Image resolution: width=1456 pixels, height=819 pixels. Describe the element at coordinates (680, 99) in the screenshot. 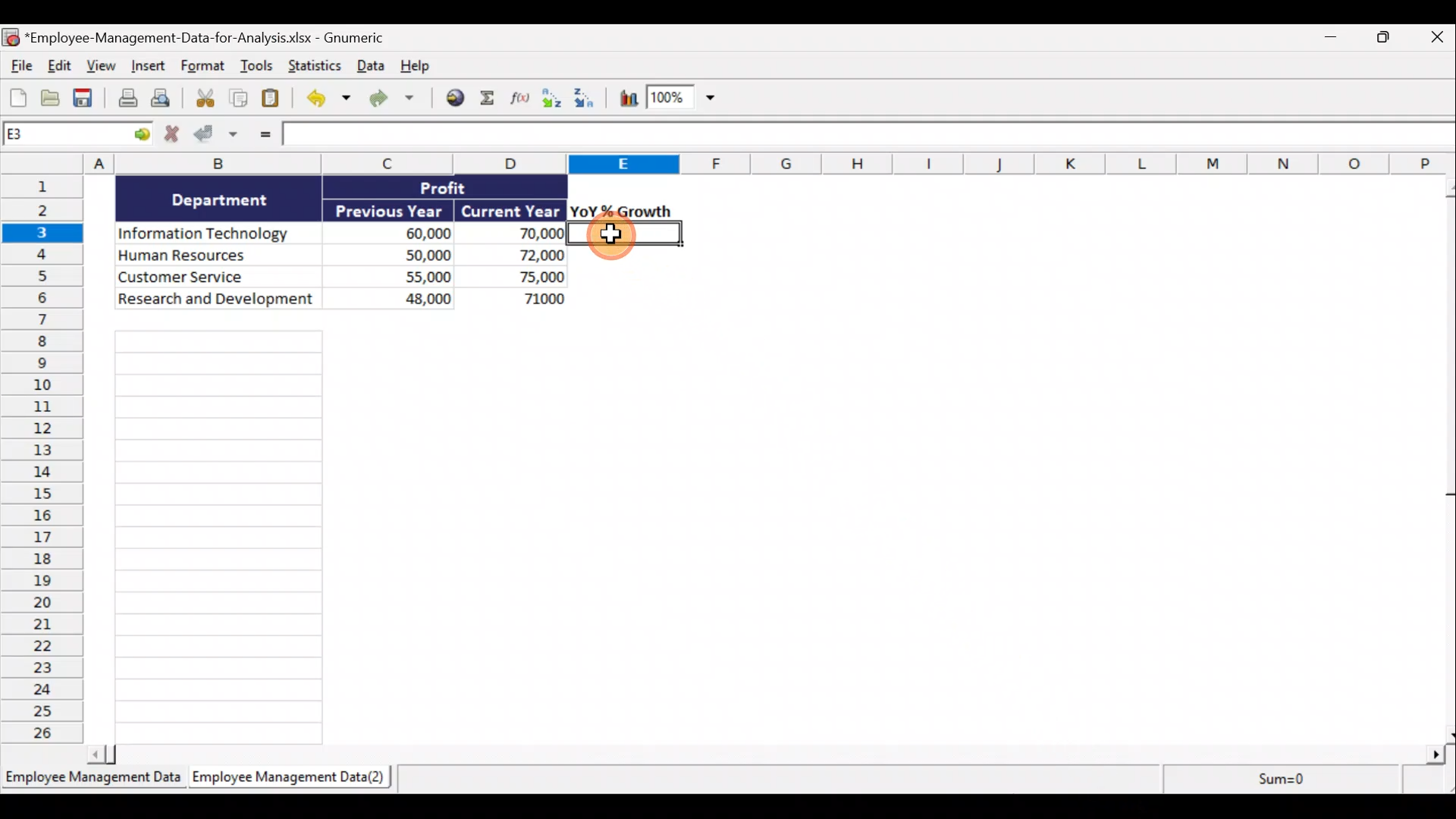

I see `Zoom` at that location.